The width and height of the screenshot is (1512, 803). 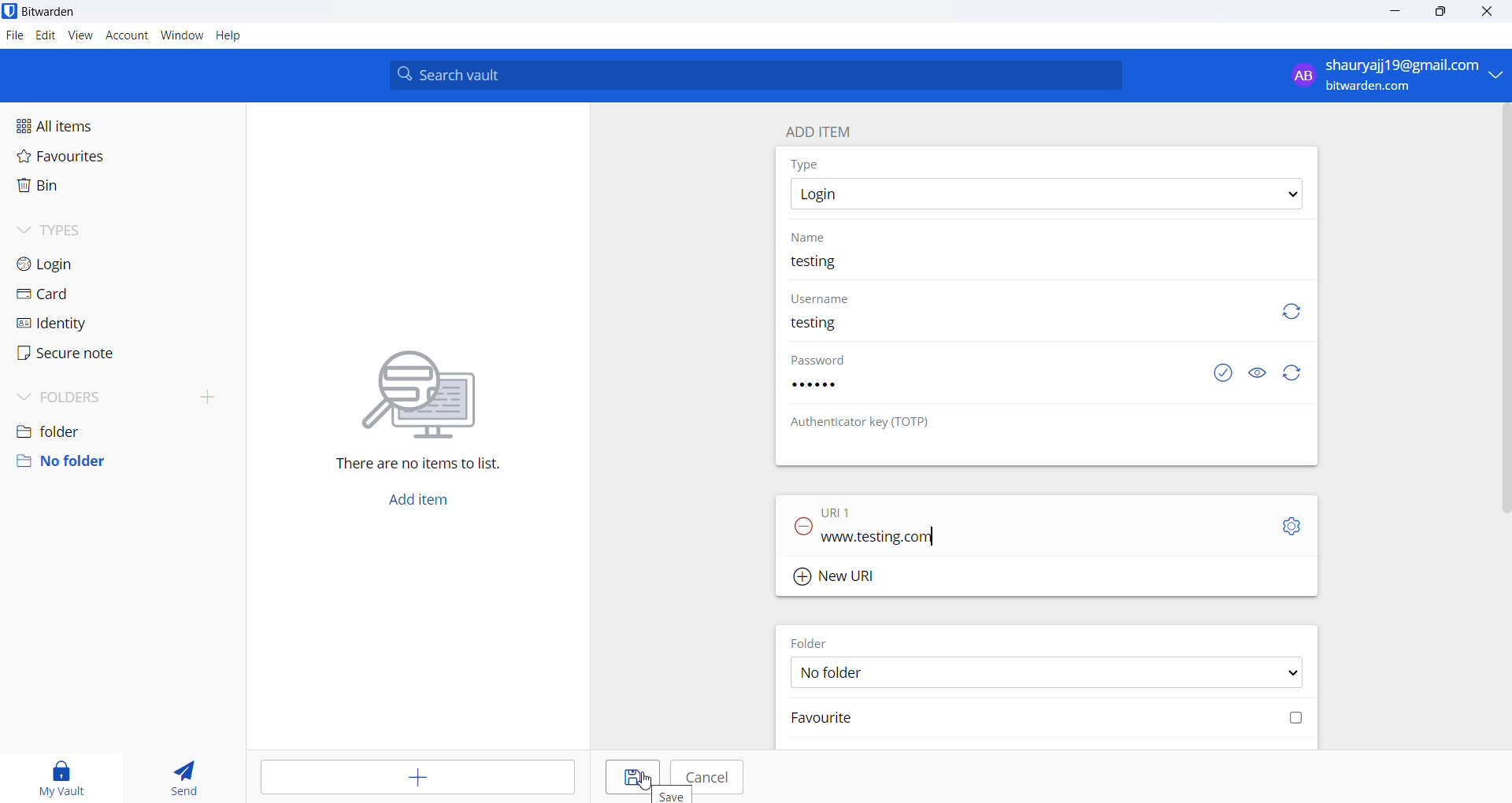 I want to click on types, so click(x=87, y=231).